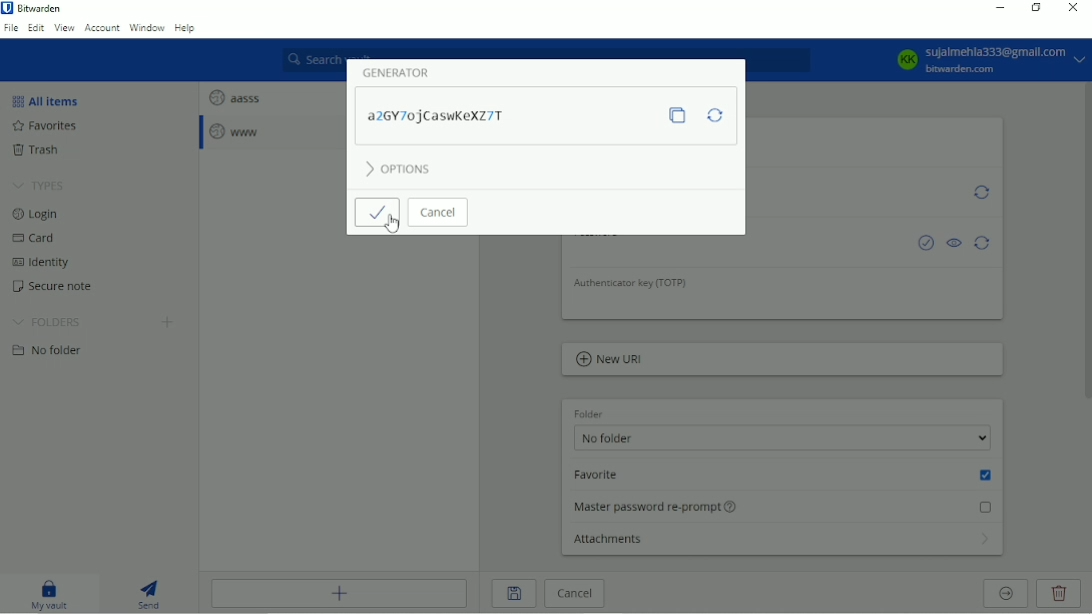 Image resolution: width=1092 pixels, height=614 pixels. I want to click on Generator, so click(395, 72).